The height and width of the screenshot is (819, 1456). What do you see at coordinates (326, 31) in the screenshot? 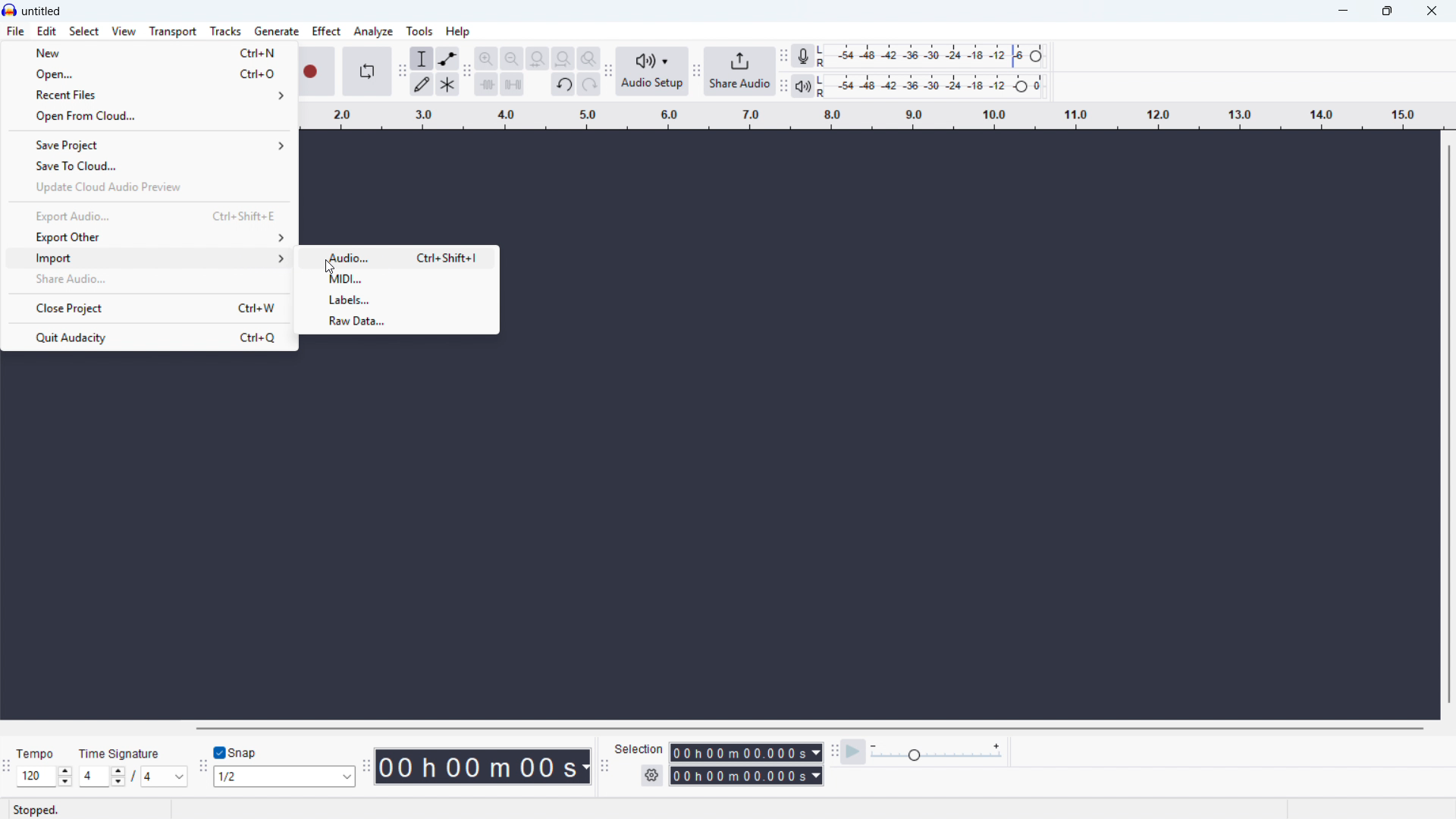
I see `Effect ` at bounding box center [326, 31].